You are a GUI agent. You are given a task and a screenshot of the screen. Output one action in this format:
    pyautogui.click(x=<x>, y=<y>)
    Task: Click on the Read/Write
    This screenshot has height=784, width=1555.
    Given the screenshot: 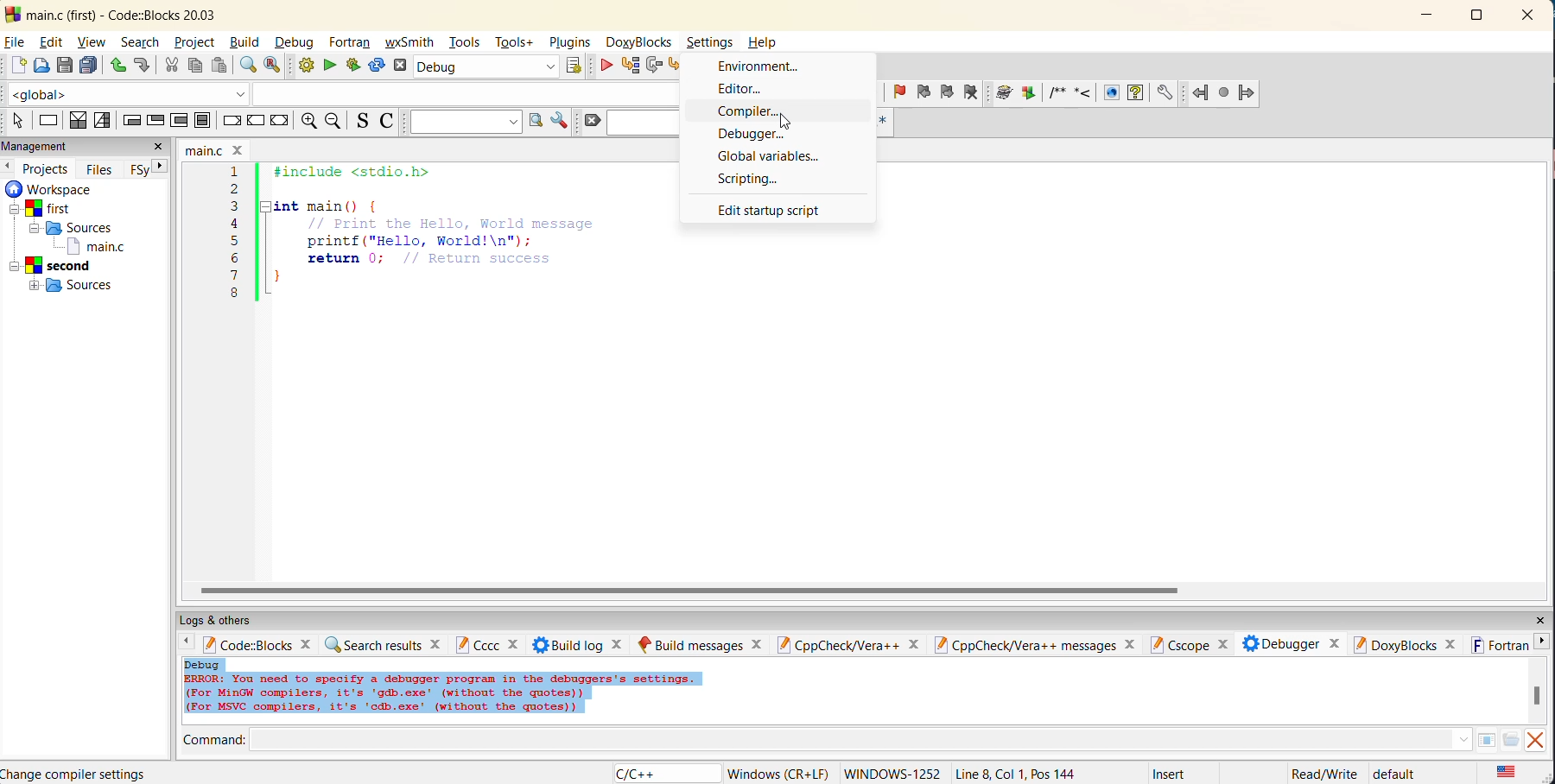 What is the action you would take?
    pyautogui.click(x=1323, y=773)
    